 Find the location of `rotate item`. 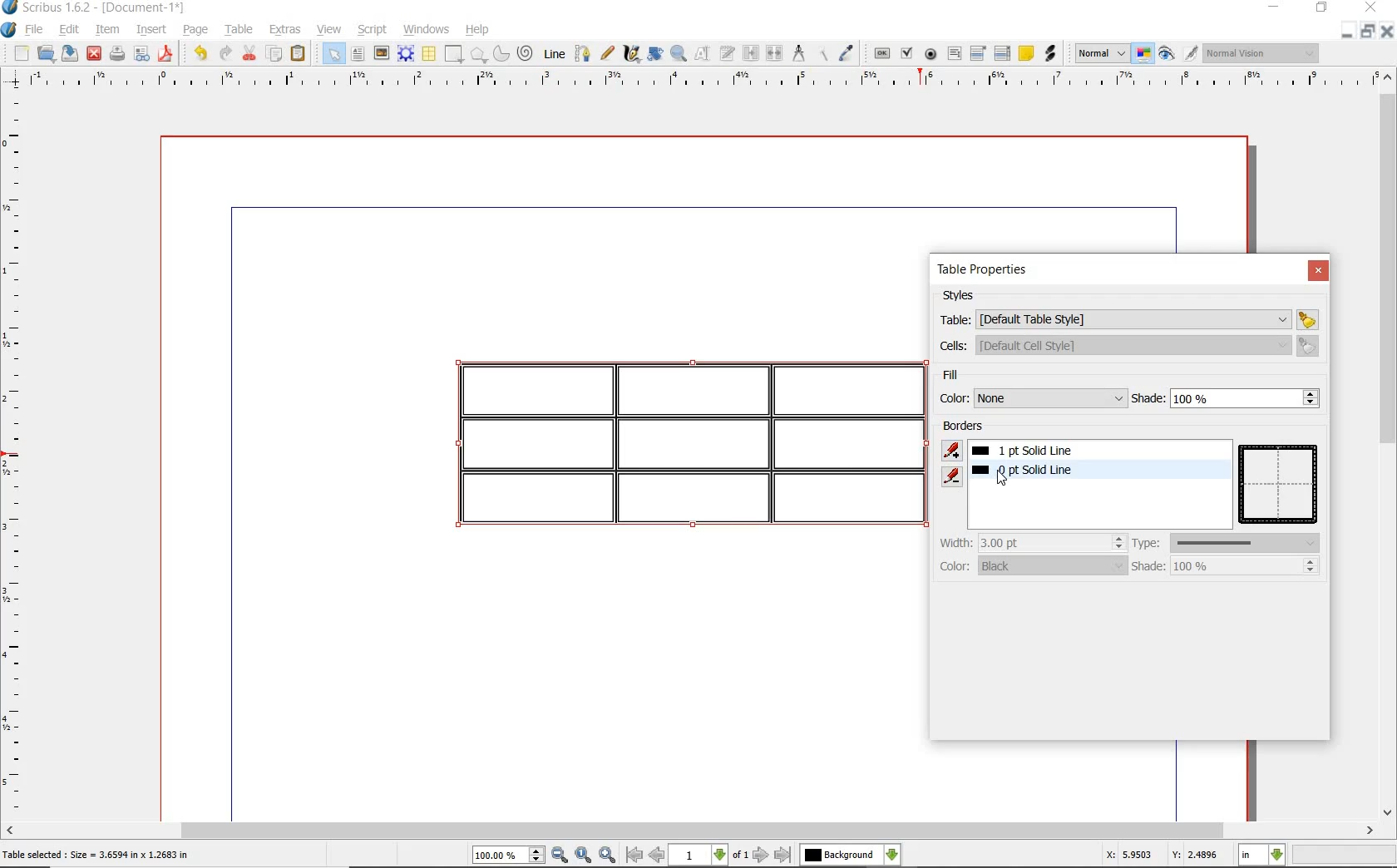

rotate item is located at coordinates (655, 55).